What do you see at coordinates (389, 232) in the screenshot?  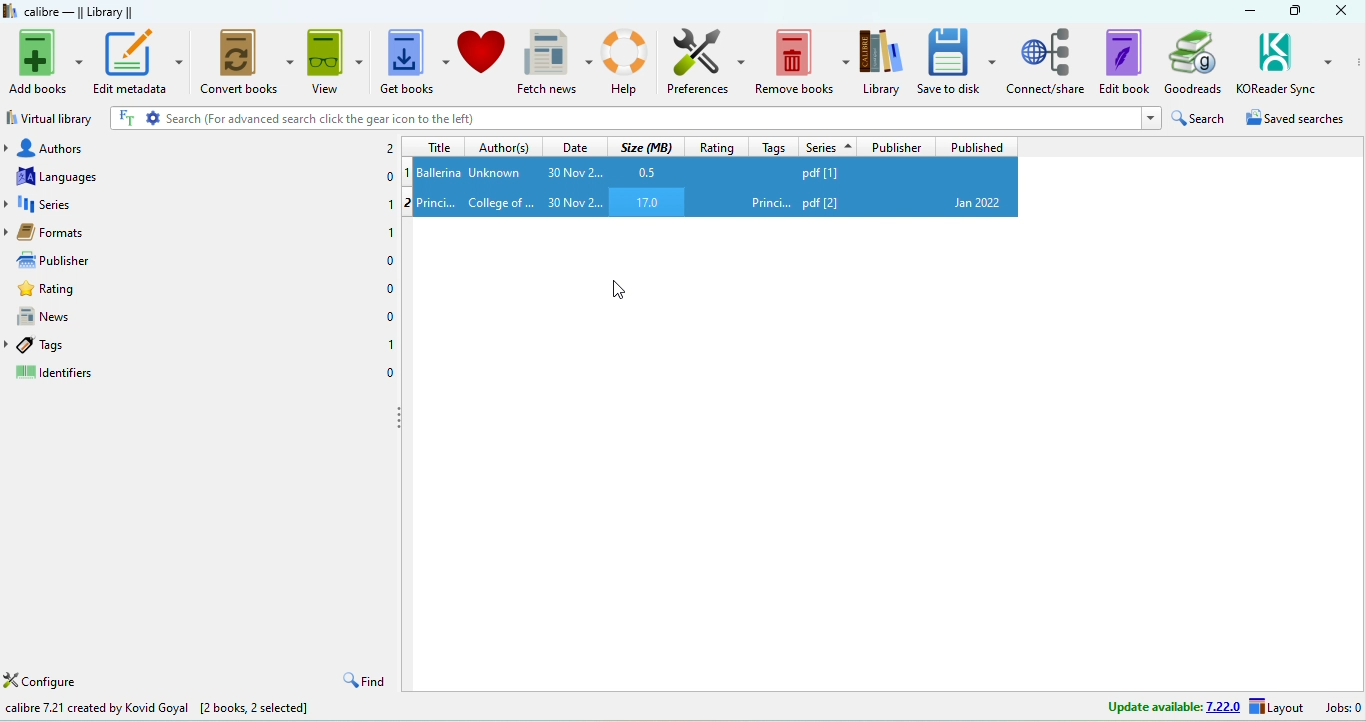 I see `1` at bounding box center [389, 232].